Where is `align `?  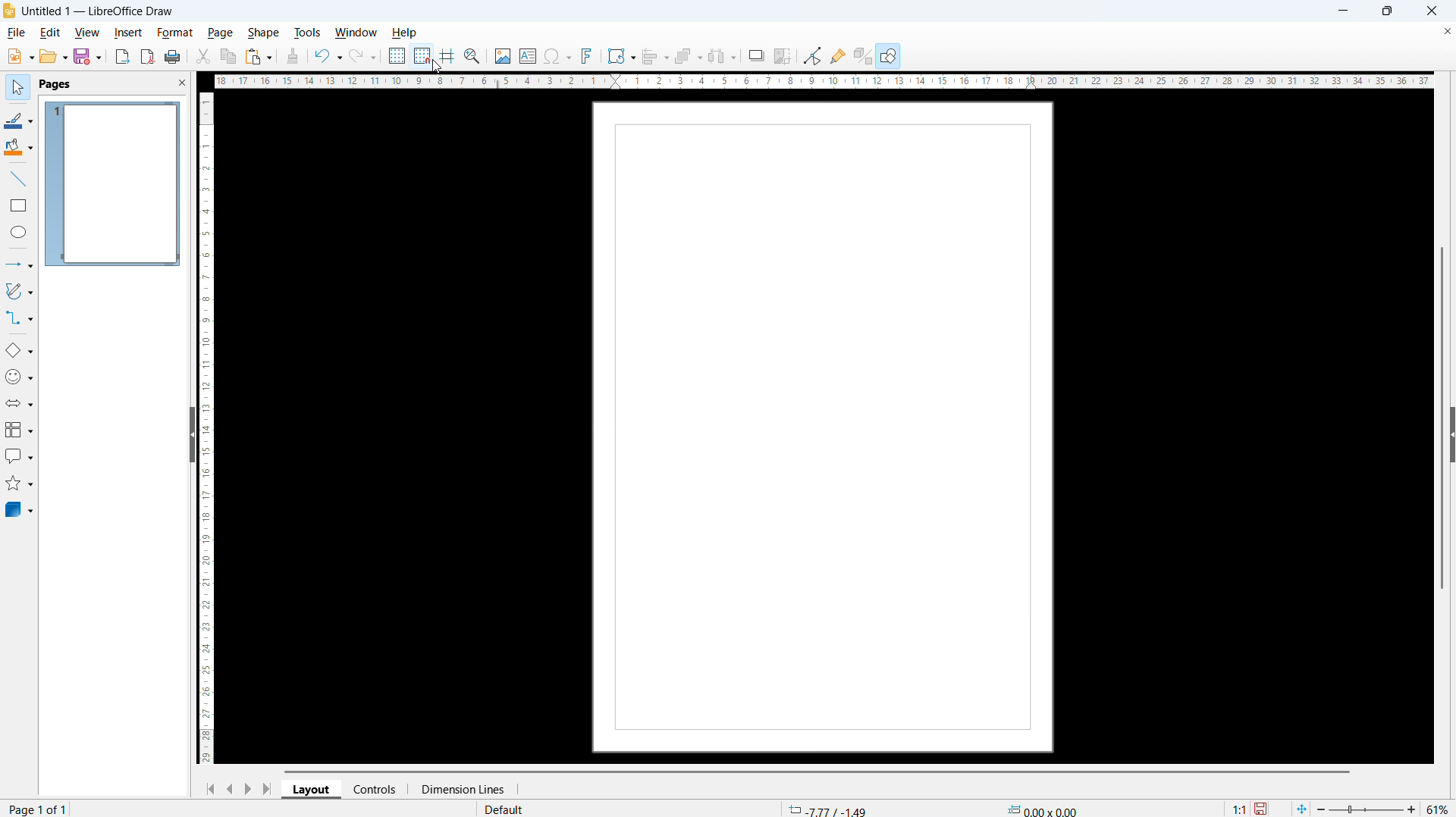
align  is located at coordinates (654, 57).